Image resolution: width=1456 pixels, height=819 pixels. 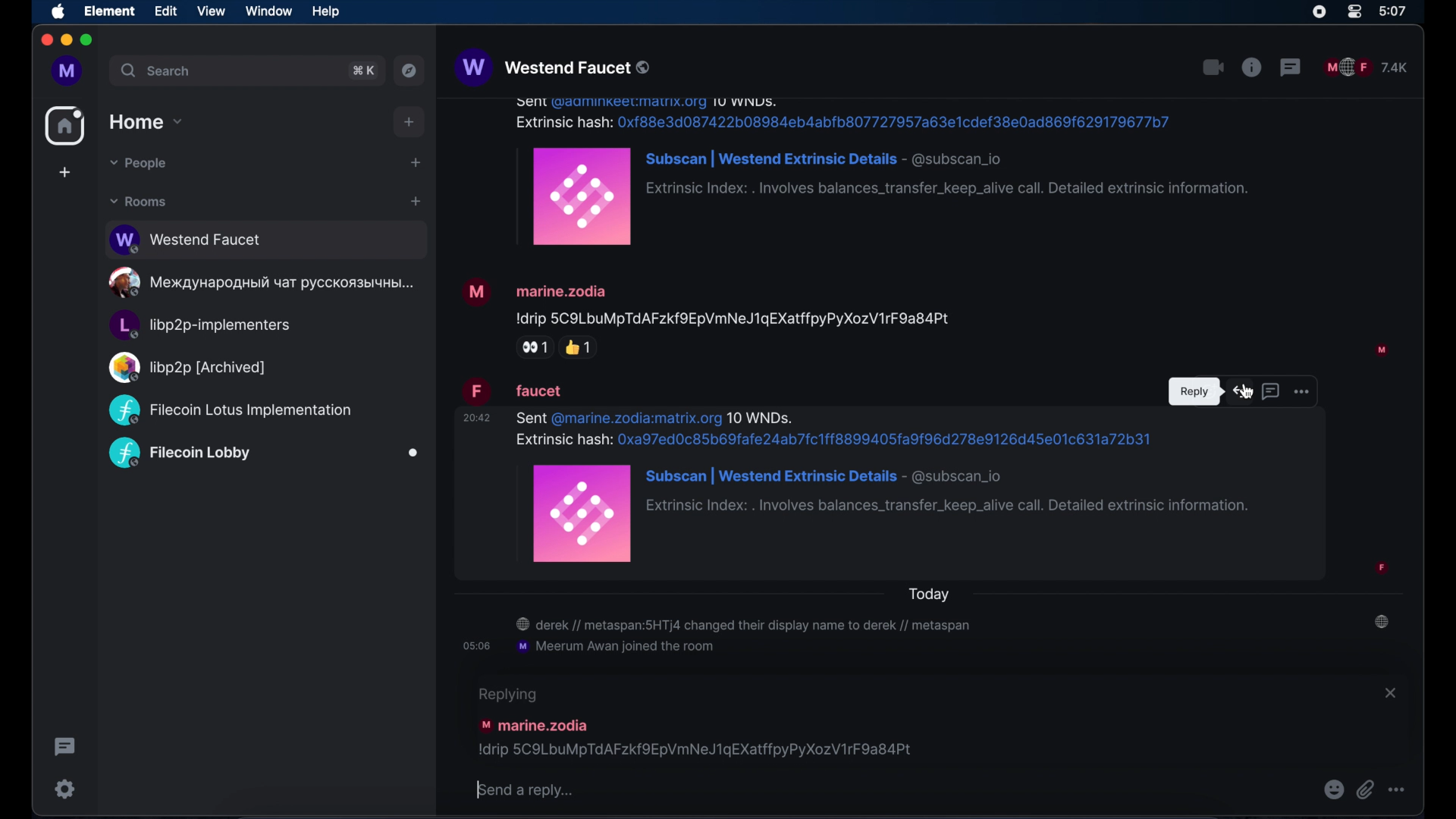 What do you see at coordinates (363, 71) in the screenshot?
I see `search shortcut` at bounding box center [363, 71].